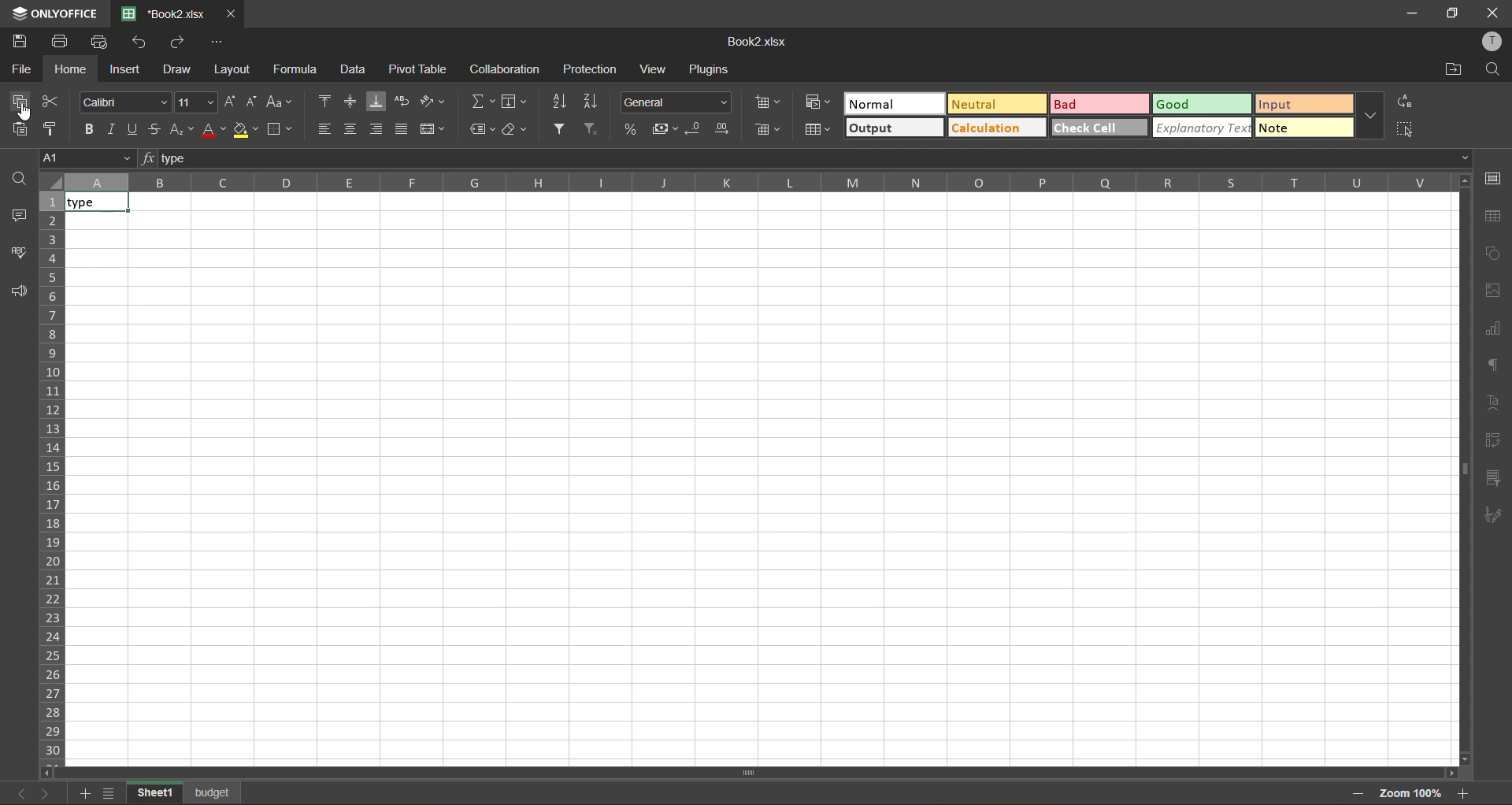 Image resolution: width=1512 pixels, height=805 pixels. I want to click on maximize, so click(1452, 12).